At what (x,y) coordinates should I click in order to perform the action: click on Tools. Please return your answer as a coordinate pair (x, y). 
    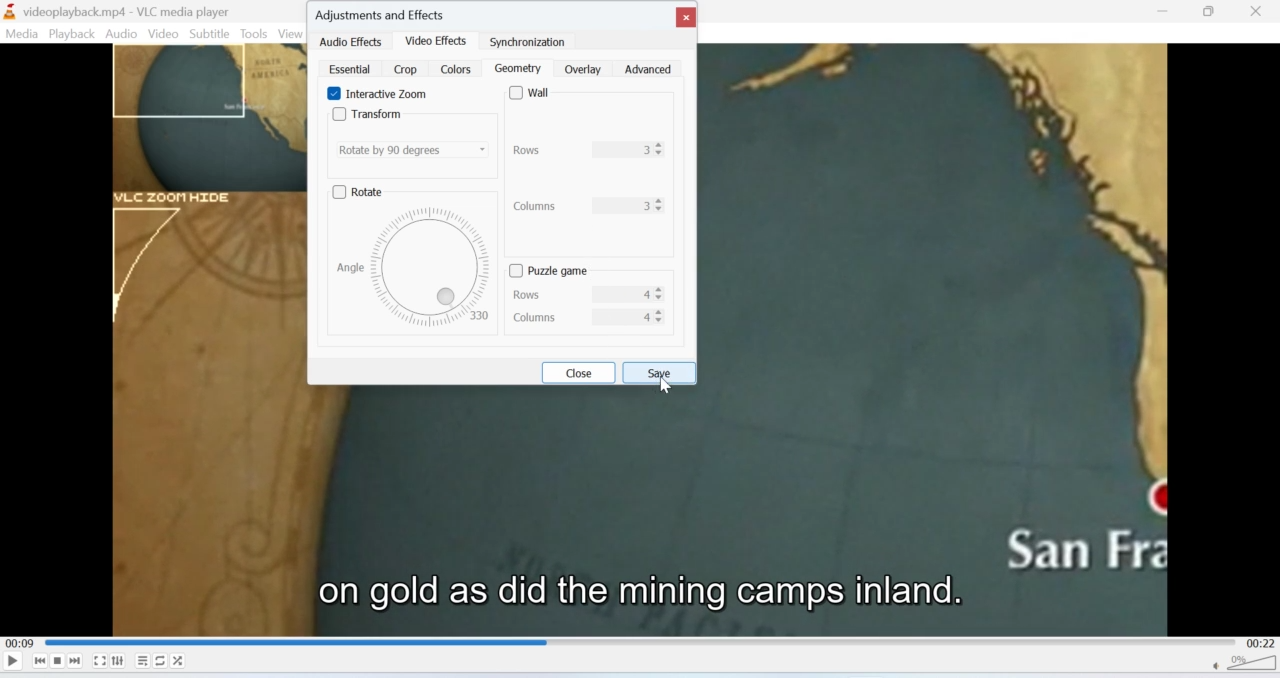
    Looking at the image, I should click on (254, 34).